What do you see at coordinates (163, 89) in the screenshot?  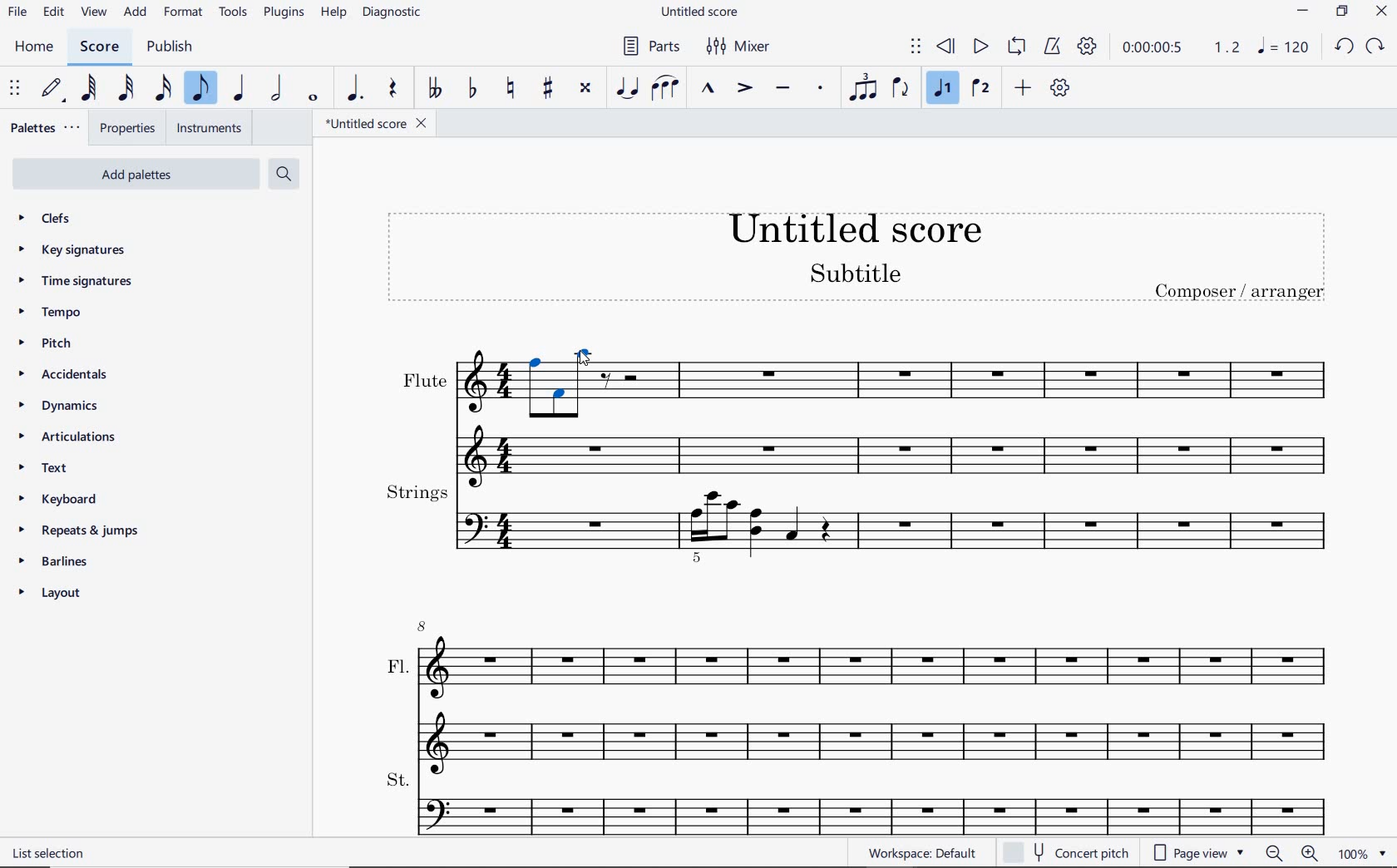 I see `16TH NOTE` at bounding box center [163, 89].